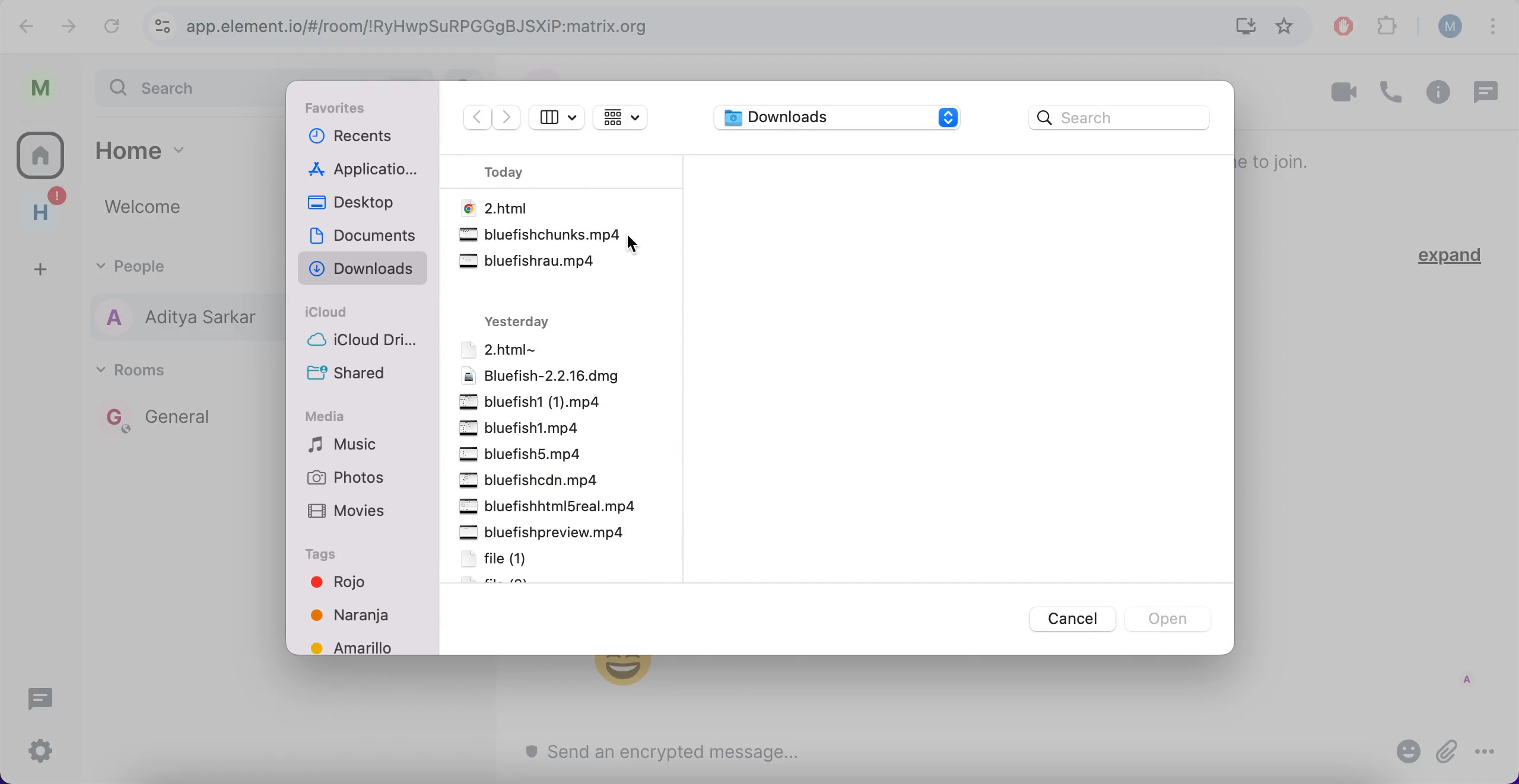  Describe the element at coordinates (1488, 96) in the screenshot. I see `threads` at that location.